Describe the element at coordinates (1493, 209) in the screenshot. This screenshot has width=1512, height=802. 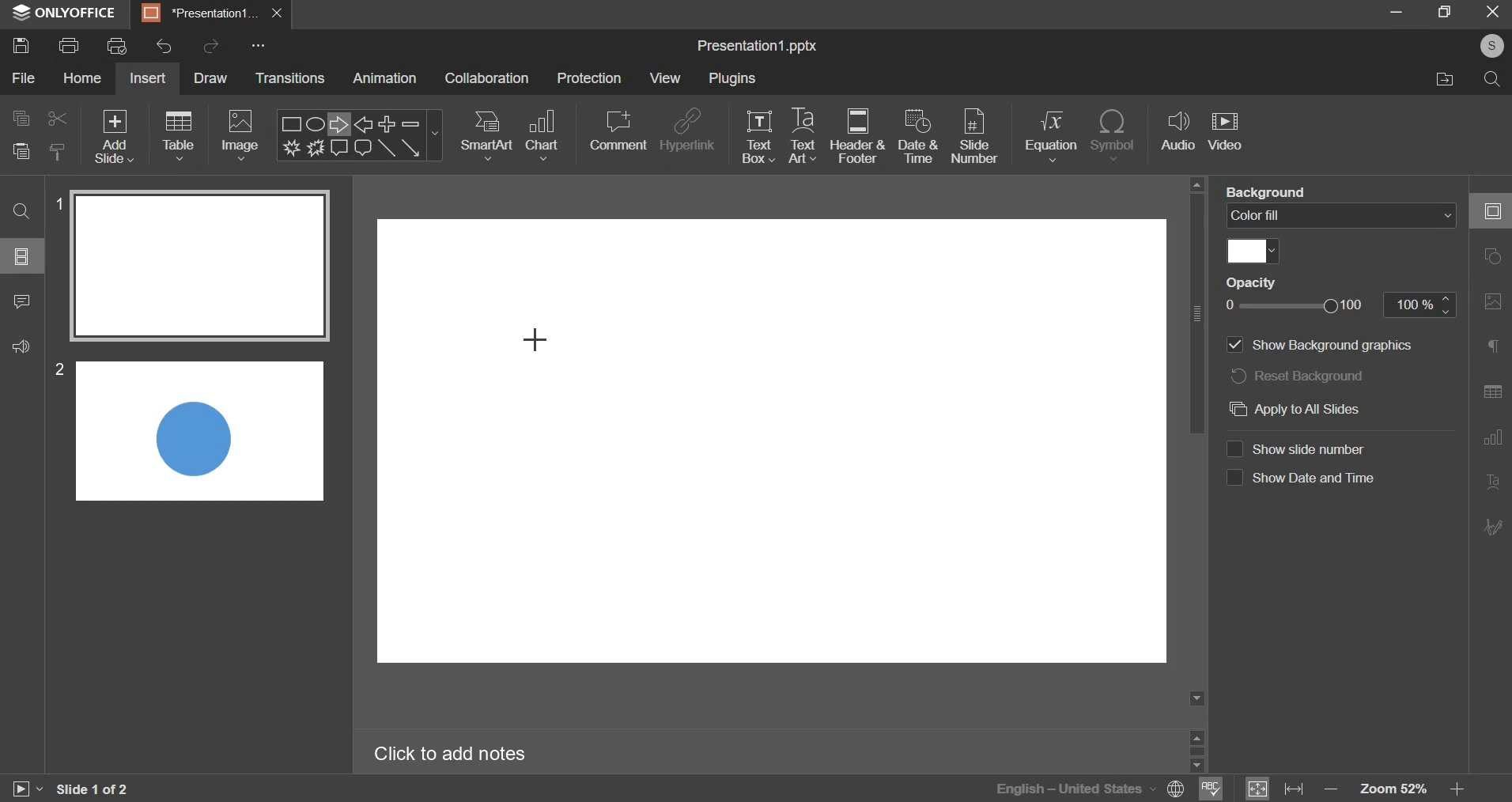
I see `Slide settings` at that location.